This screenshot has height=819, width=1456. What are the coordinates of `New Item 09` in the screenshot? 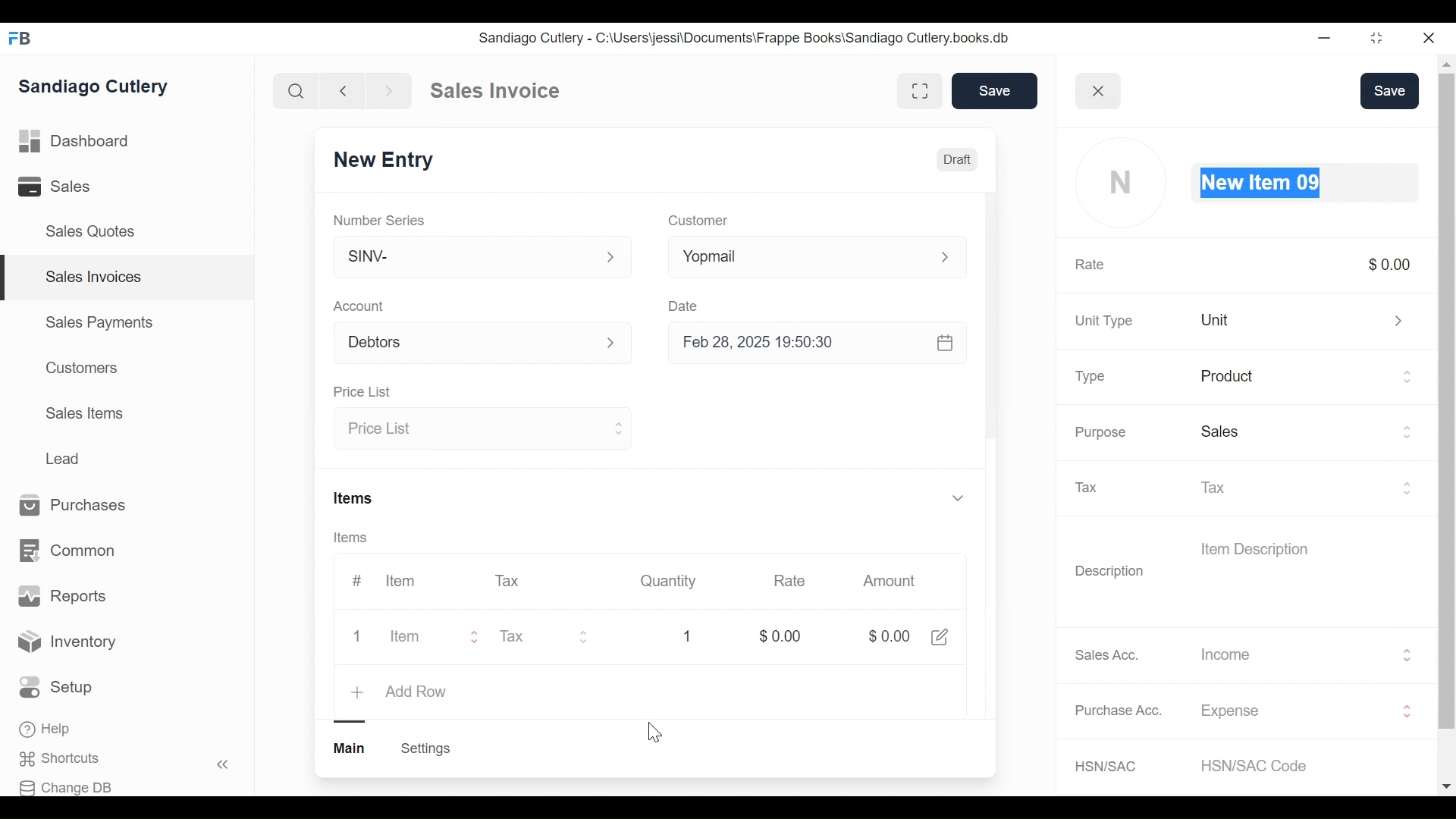 It's located at (1307, 184).